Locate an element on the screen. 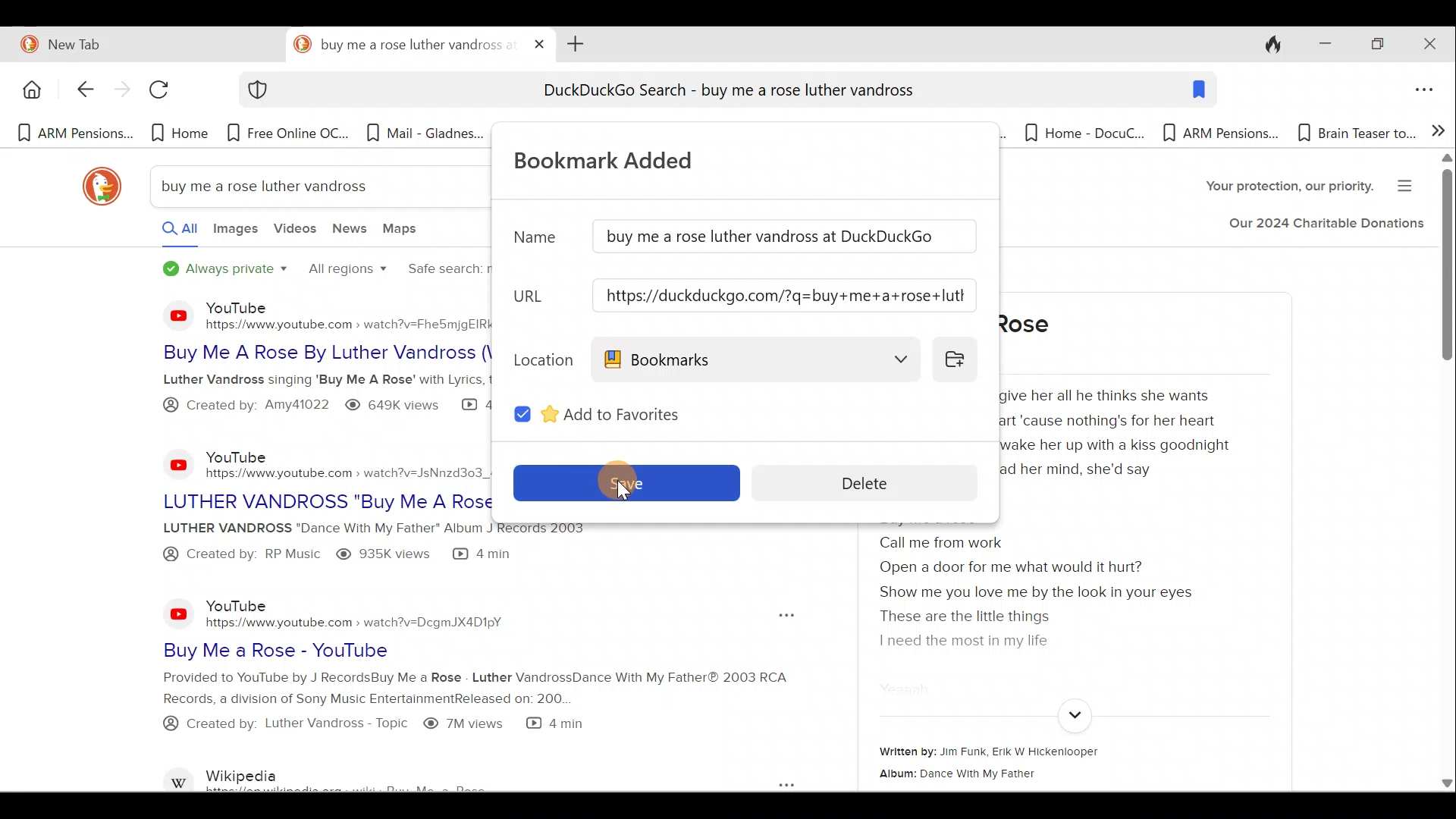  YouTube logo is located at coordinates (168, 315).